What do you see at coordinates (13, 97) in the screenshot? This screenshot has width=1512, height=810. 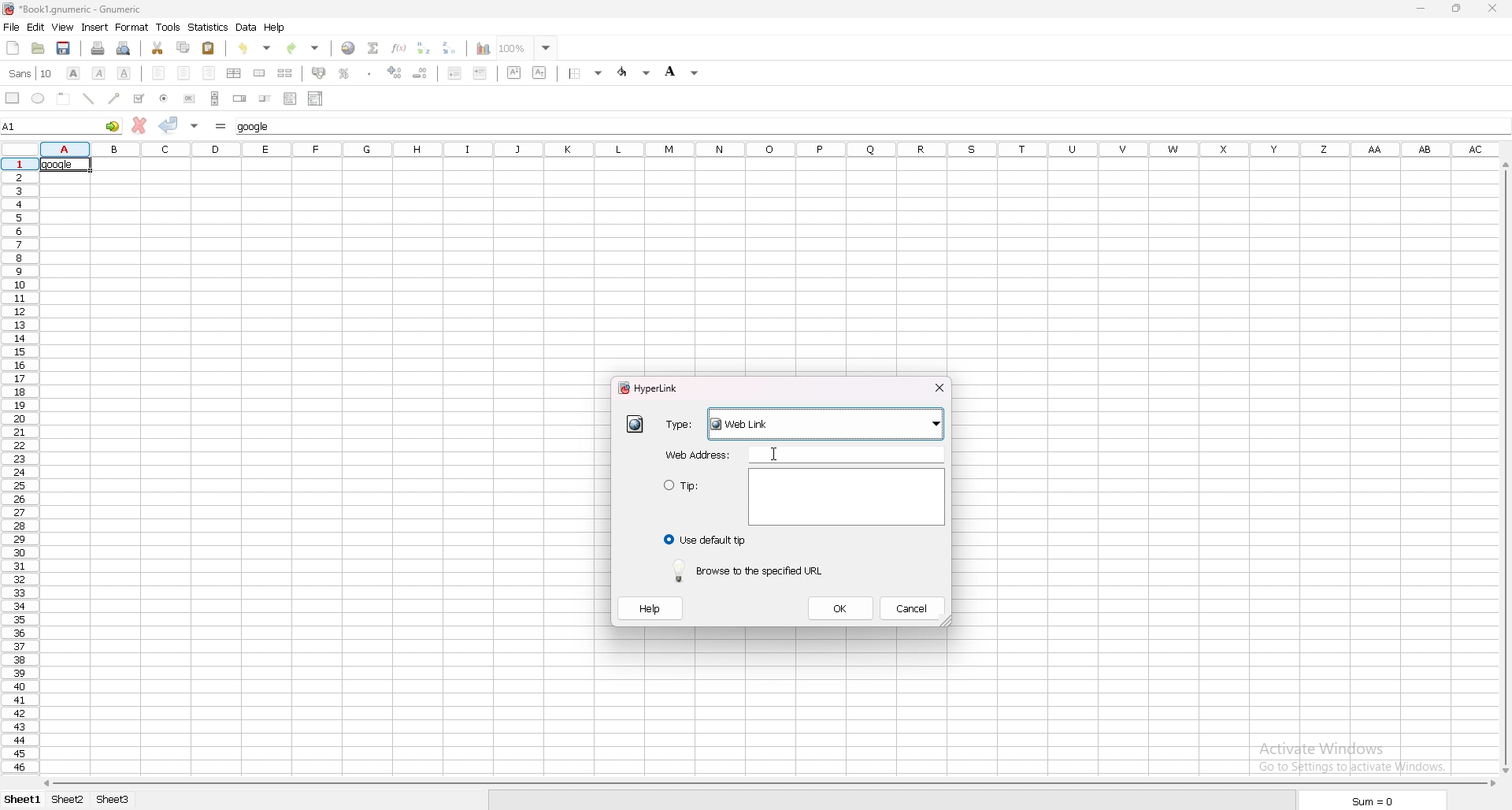 I see `rectangle` at bounding box center [13, 97].